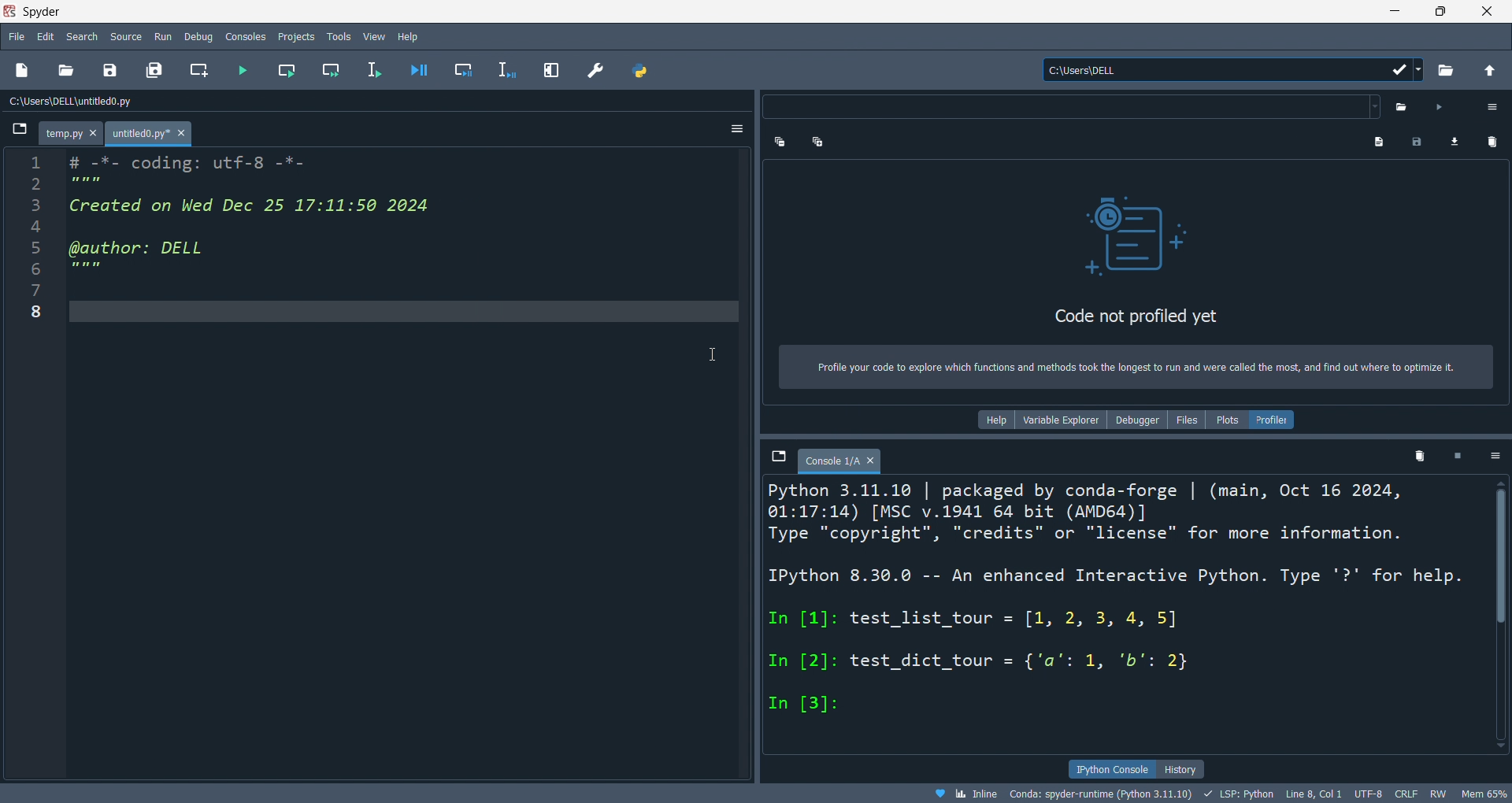 The image size is (1512, 803). Describe the element at coordinates (155, 69) in the screenshot. I see `save all` at that location.